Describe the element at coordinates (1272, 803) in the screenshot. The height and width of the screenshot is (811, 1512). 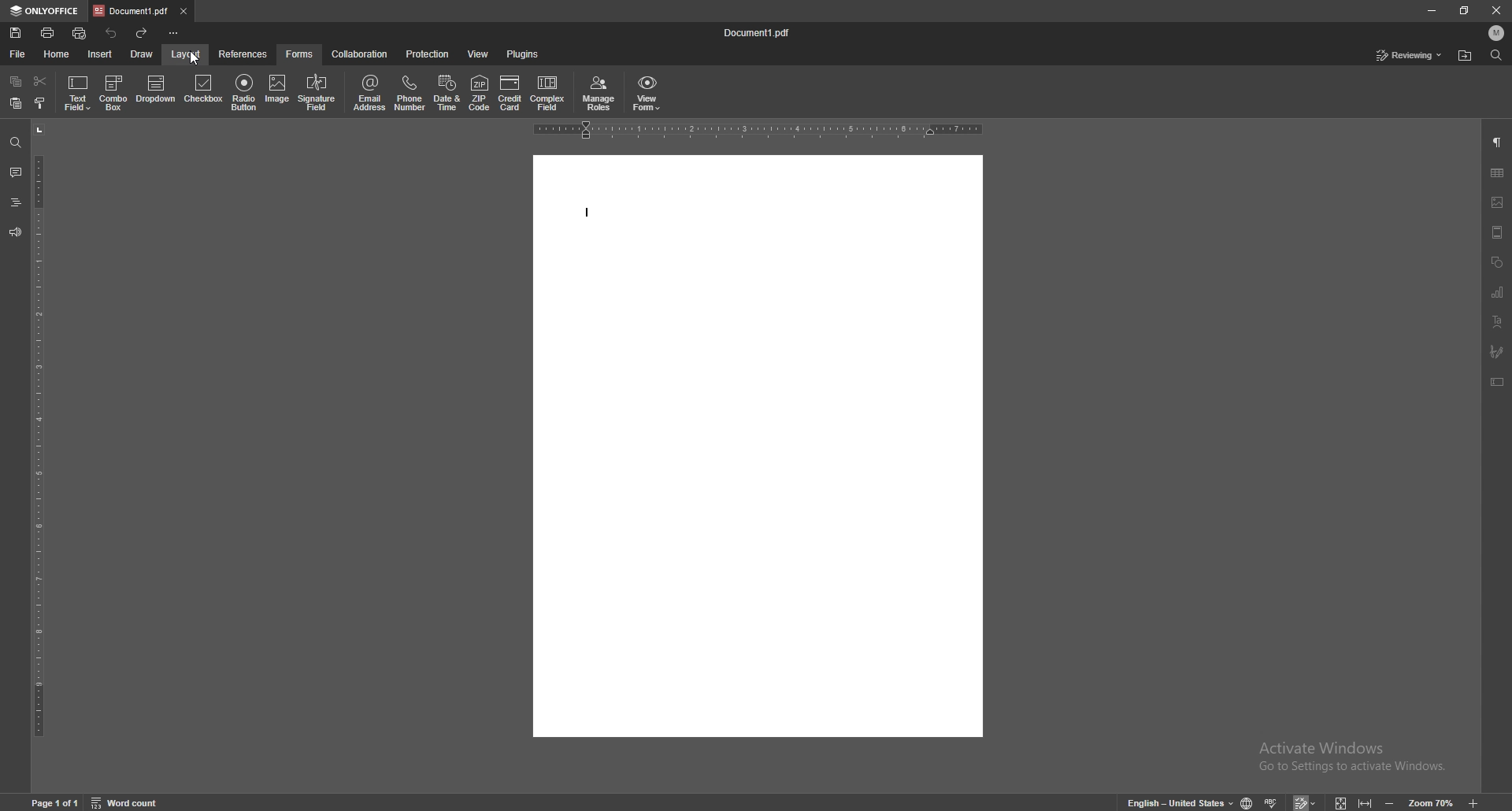
I see `spell check` at that location.